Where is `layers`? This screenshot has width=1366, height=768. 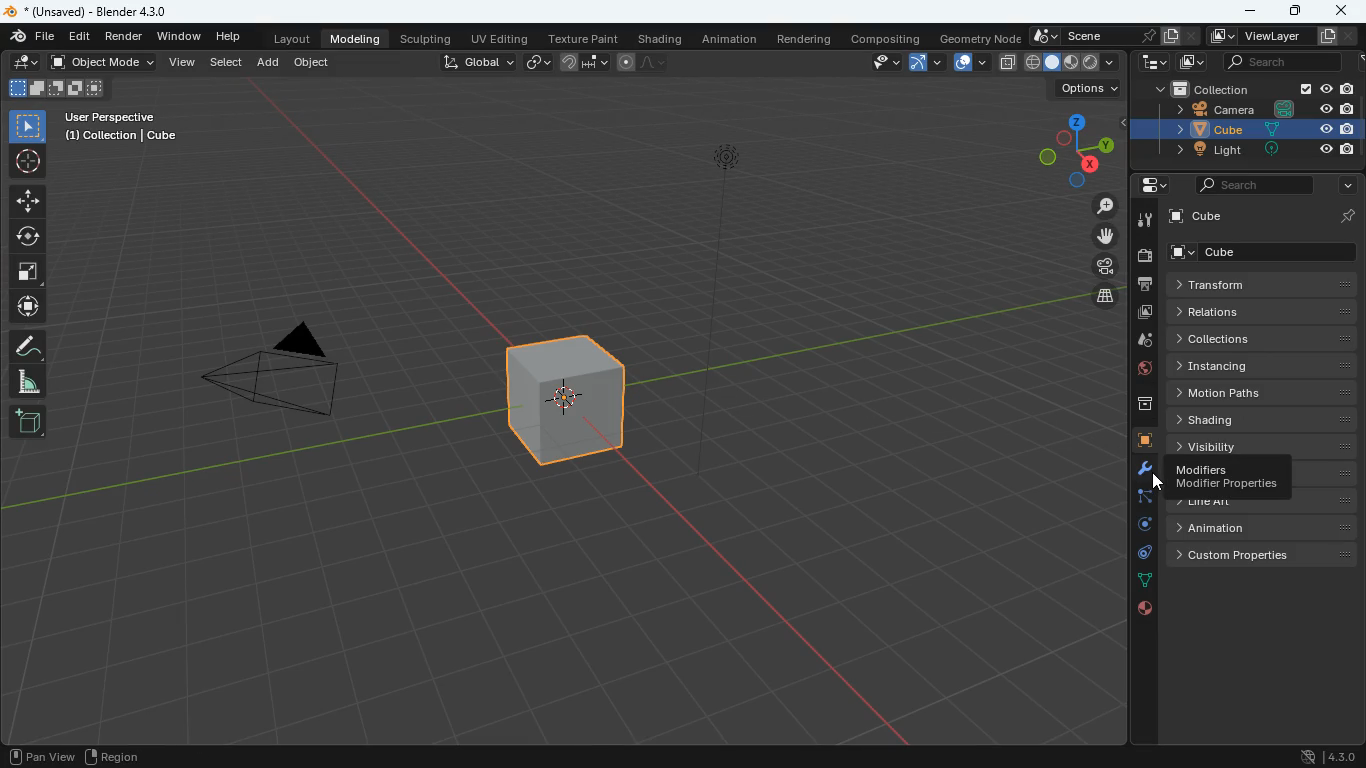
layers is located at coordinates (1106, 298).